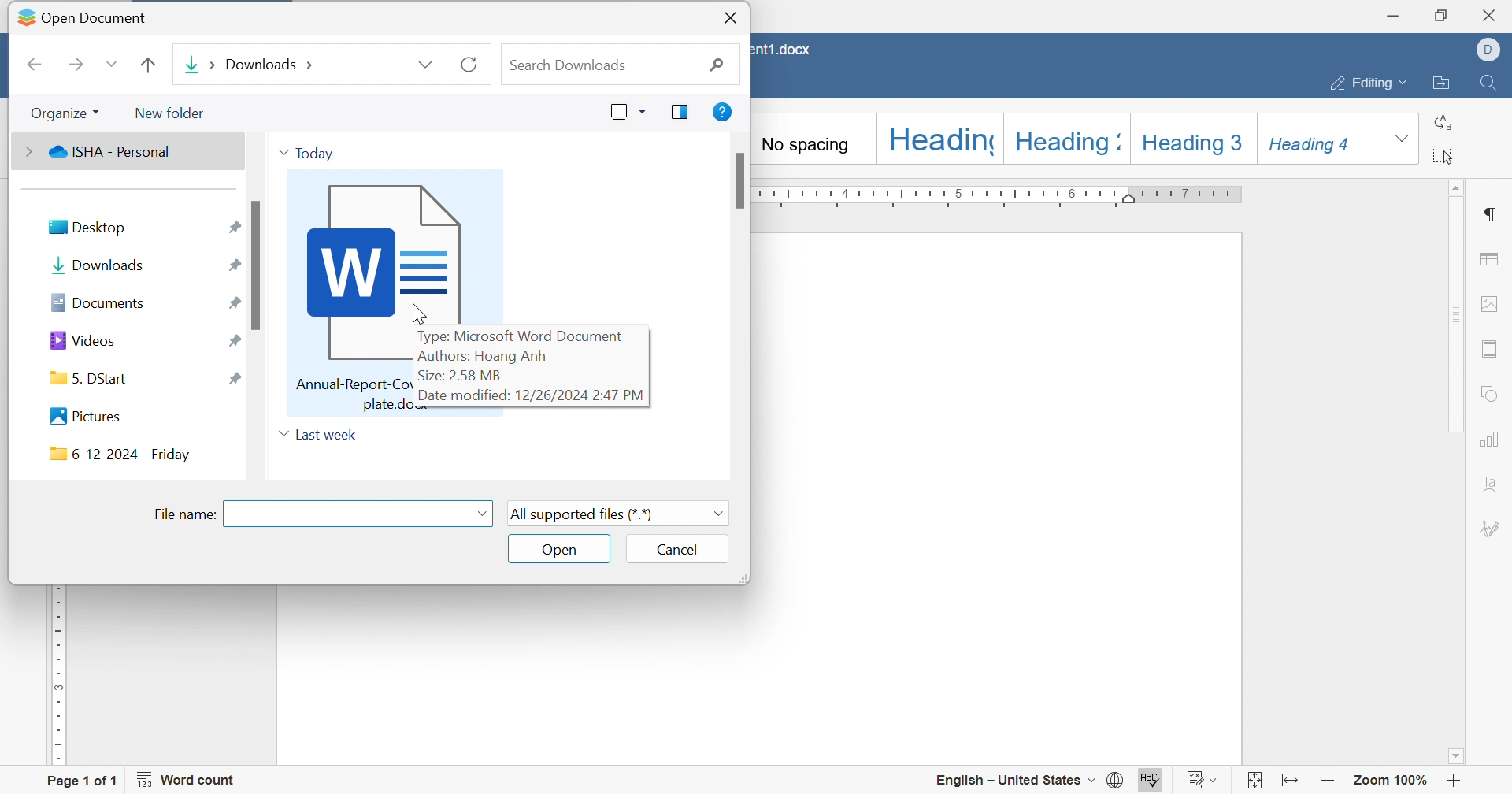 The image size is (1512, 794). Describe the element at coordinates (76, 64) in the screenshot. I see `next` at that location.